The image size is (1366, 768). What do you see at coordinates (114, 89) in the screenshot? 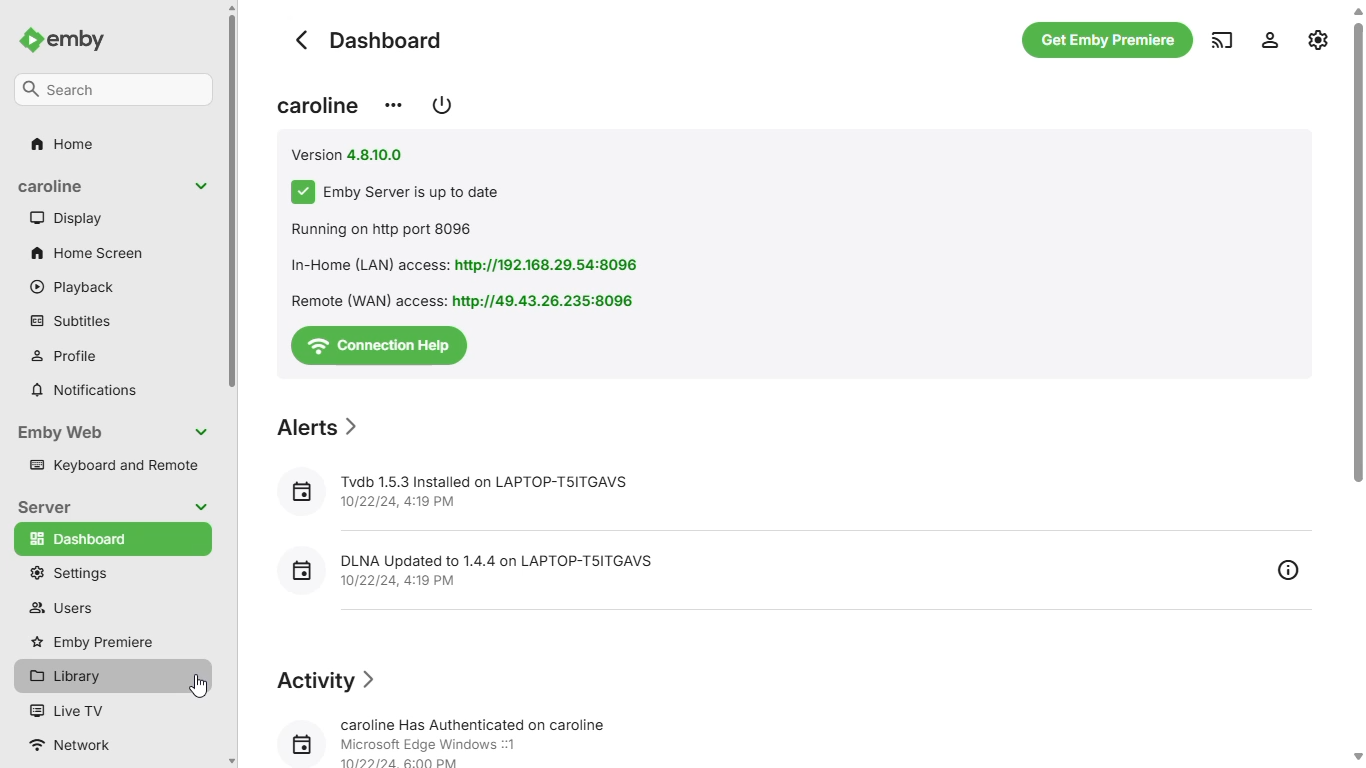
I see `search bar` at bounding box center [114, 89].